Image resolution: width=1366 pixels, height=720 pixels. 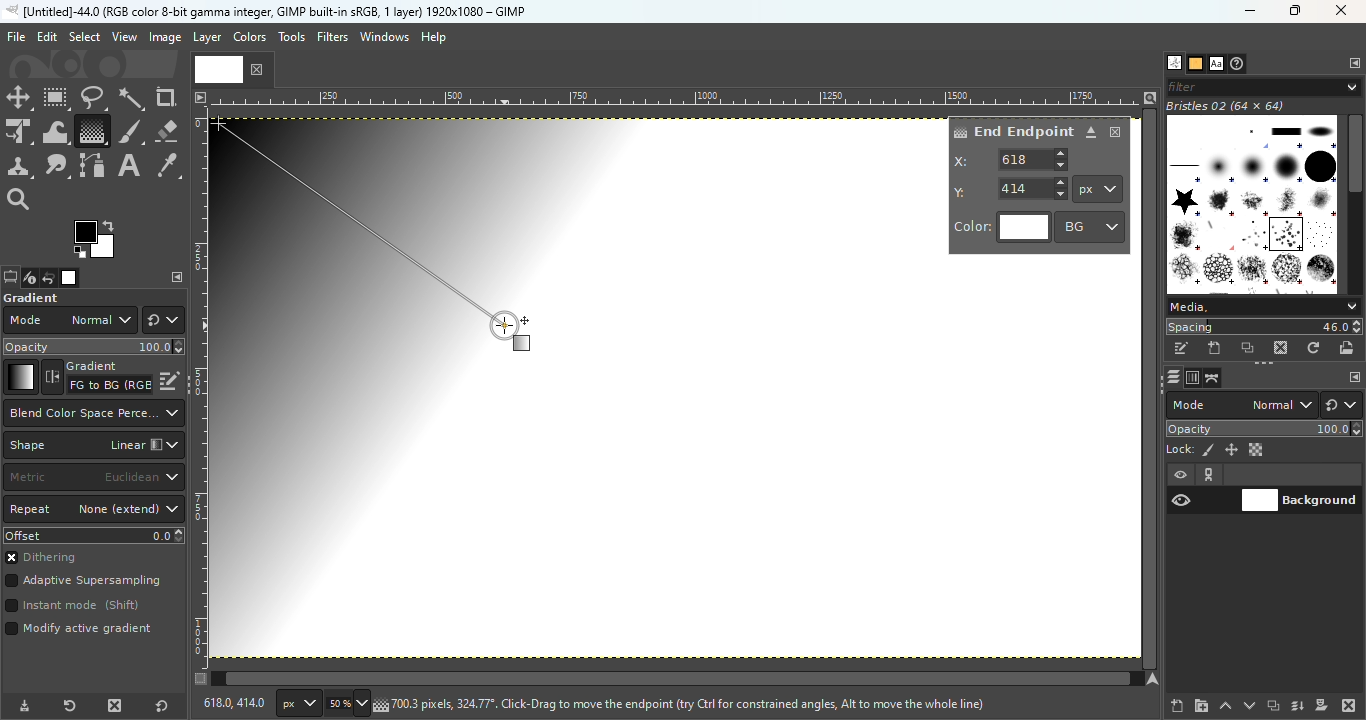 I want to click on Mode, so click(x=69, y=320).